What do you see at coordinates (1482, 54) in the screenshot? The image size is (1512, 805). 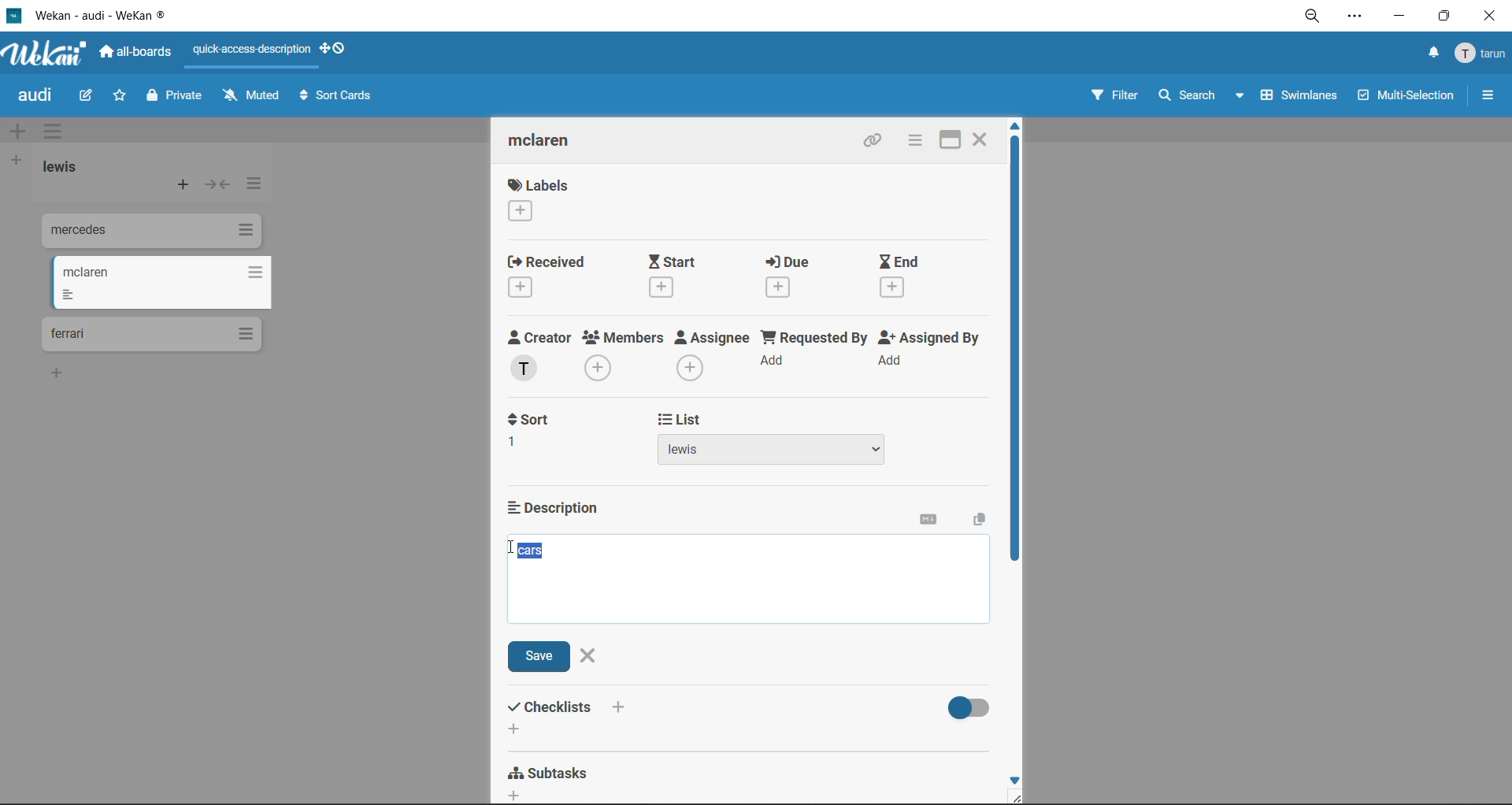 I see `menu` at bounding box center [1482, 54].